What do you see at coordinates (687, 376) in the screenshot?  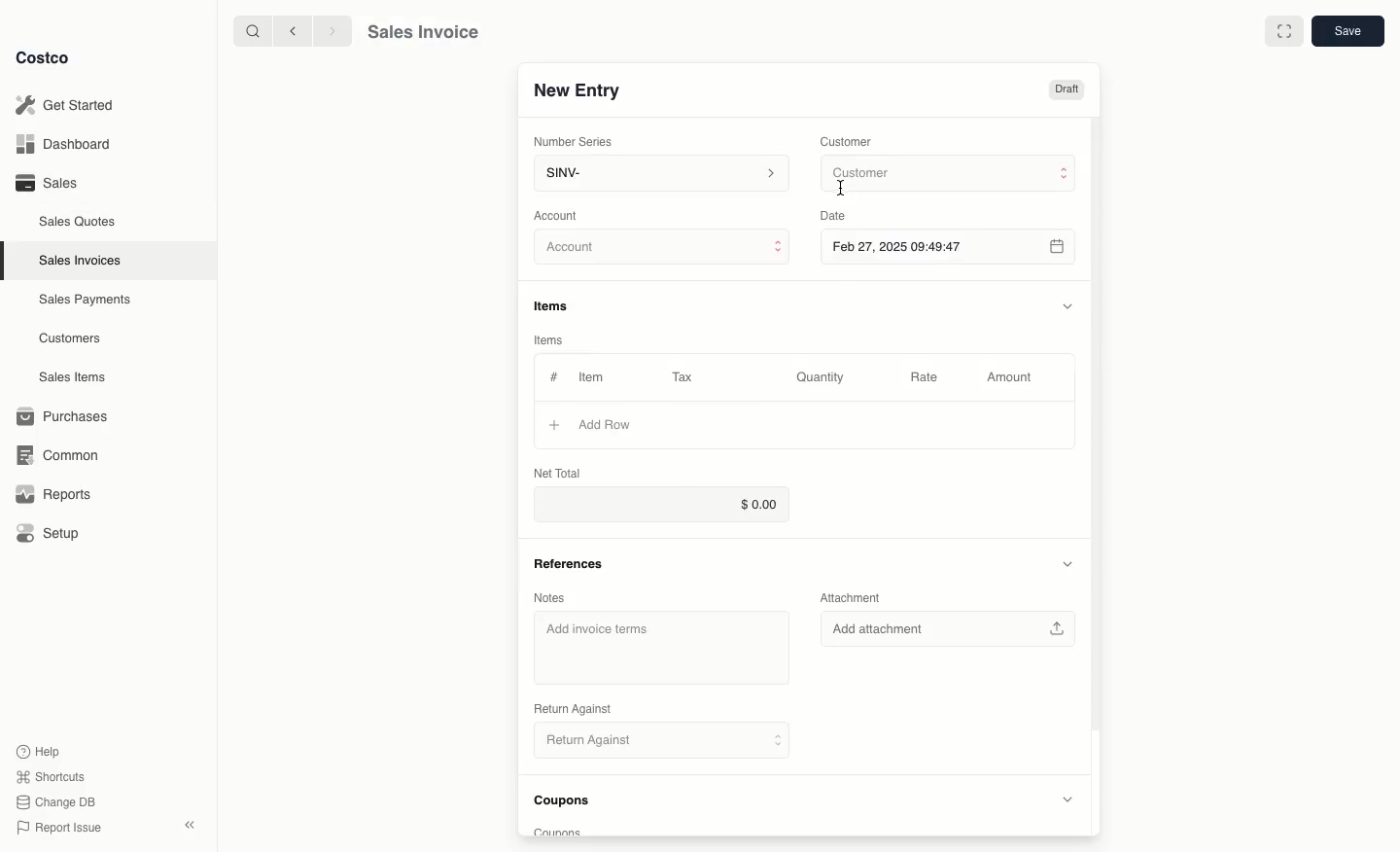 I see `Tax` at bounding box center [687, 376].